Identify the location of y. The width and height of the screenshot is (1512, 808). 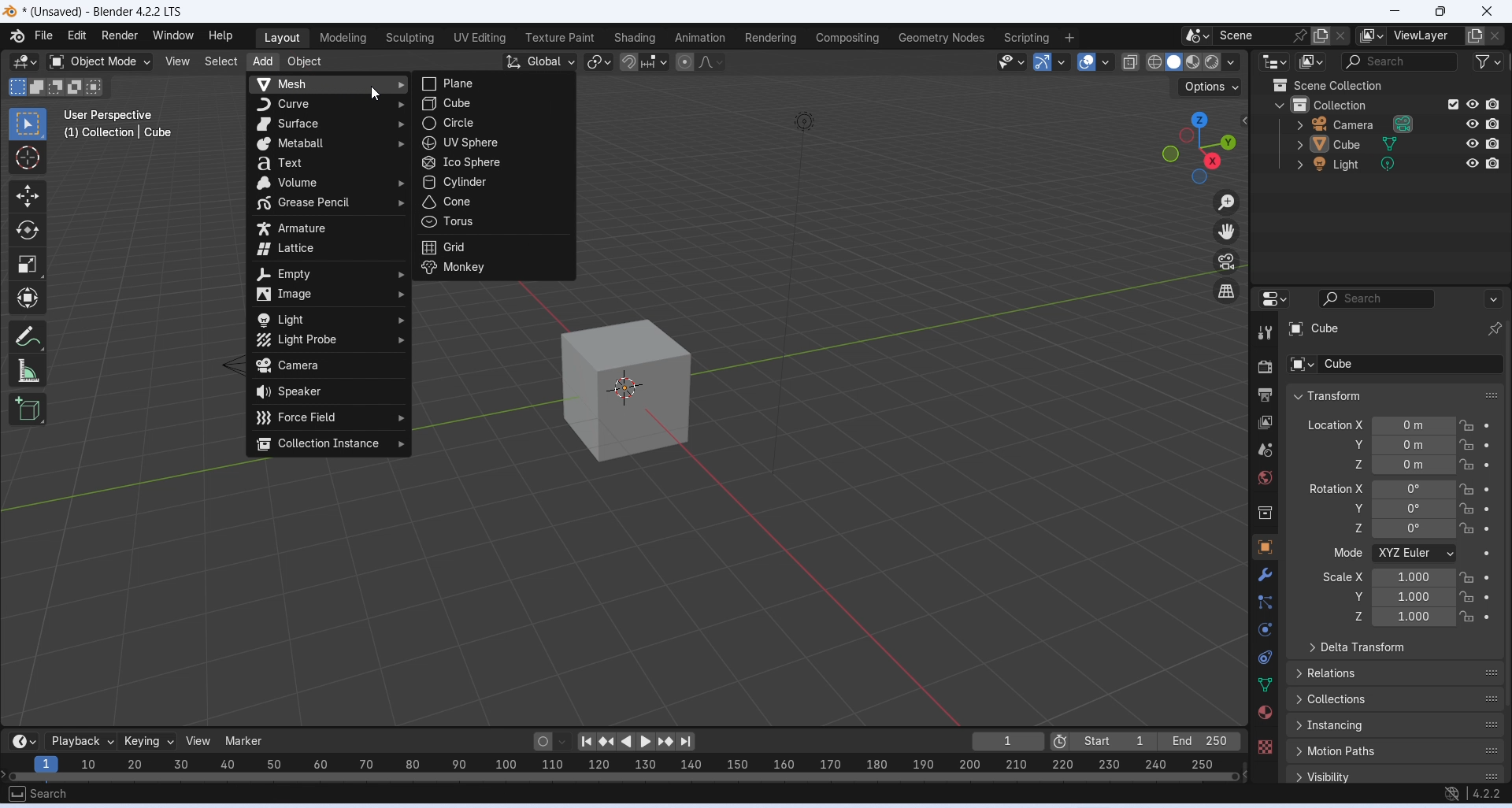
(1354, 444).